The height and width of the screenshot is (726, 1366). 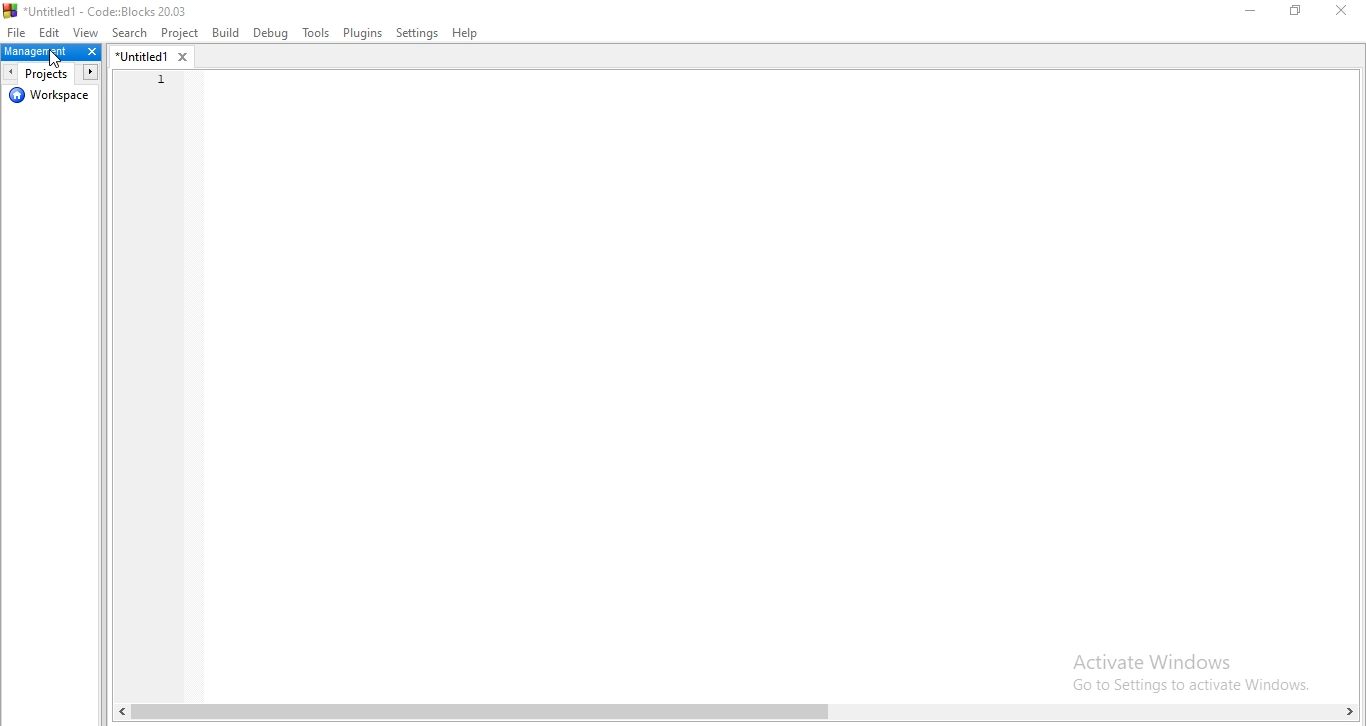 What do you see at coordinates (51, 31) in the screenshot?
I see `Edit ` at bounding box center [51, 31].